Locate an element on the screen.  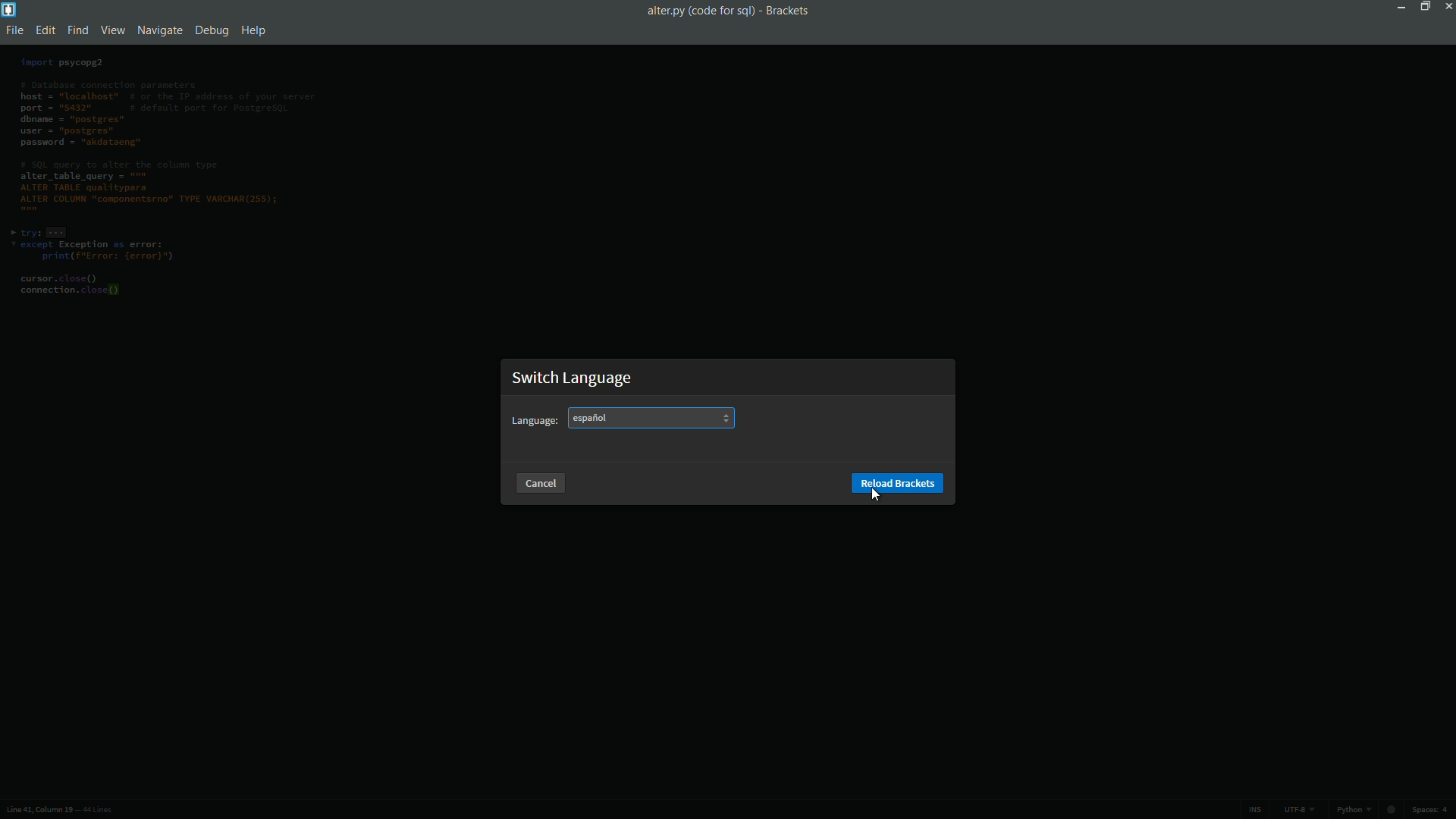
view menu is located at coordinates (111, 30).